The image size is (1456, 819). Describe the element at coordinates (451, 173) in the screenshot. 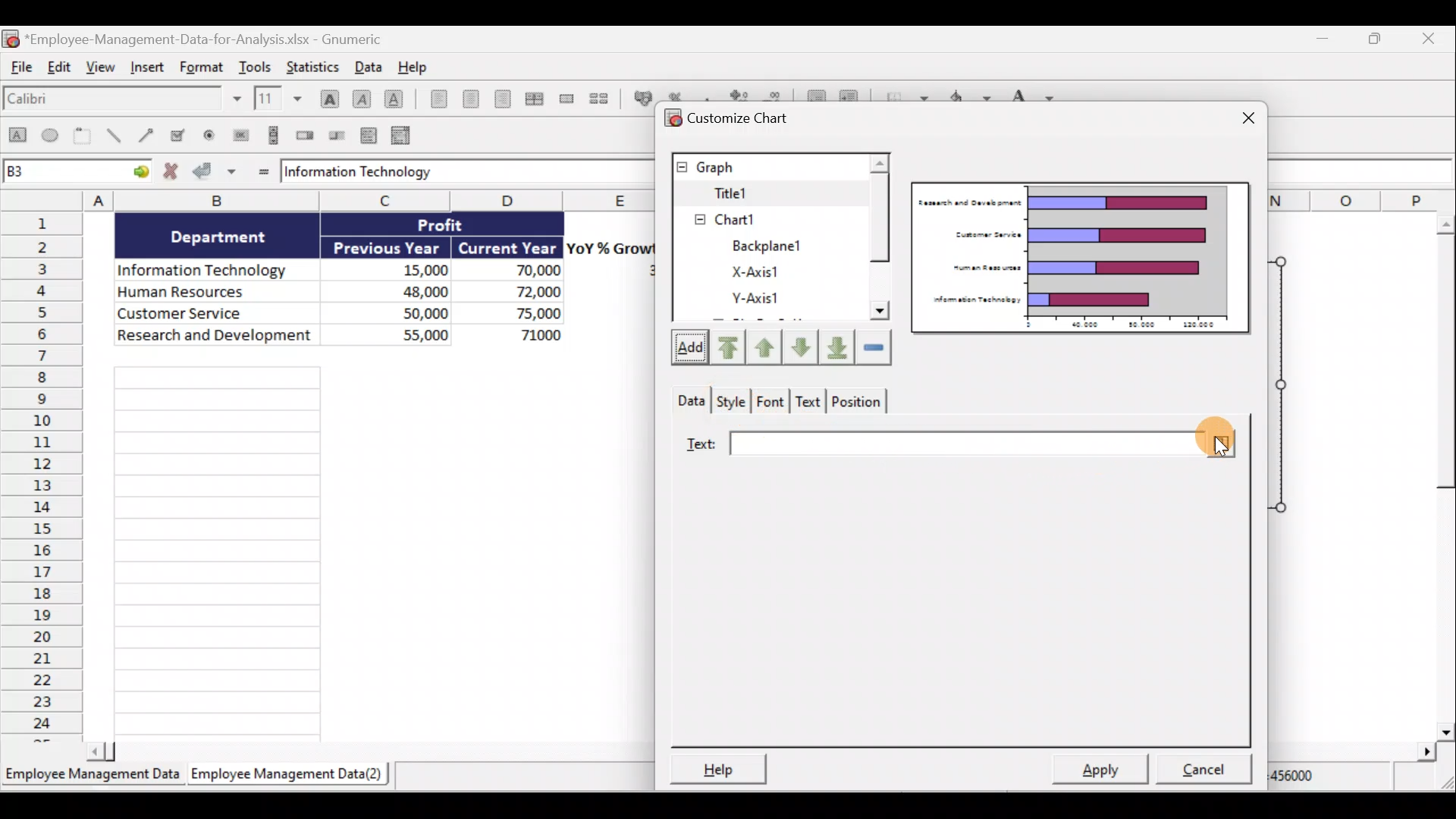

I see `Information Technology` at that location.